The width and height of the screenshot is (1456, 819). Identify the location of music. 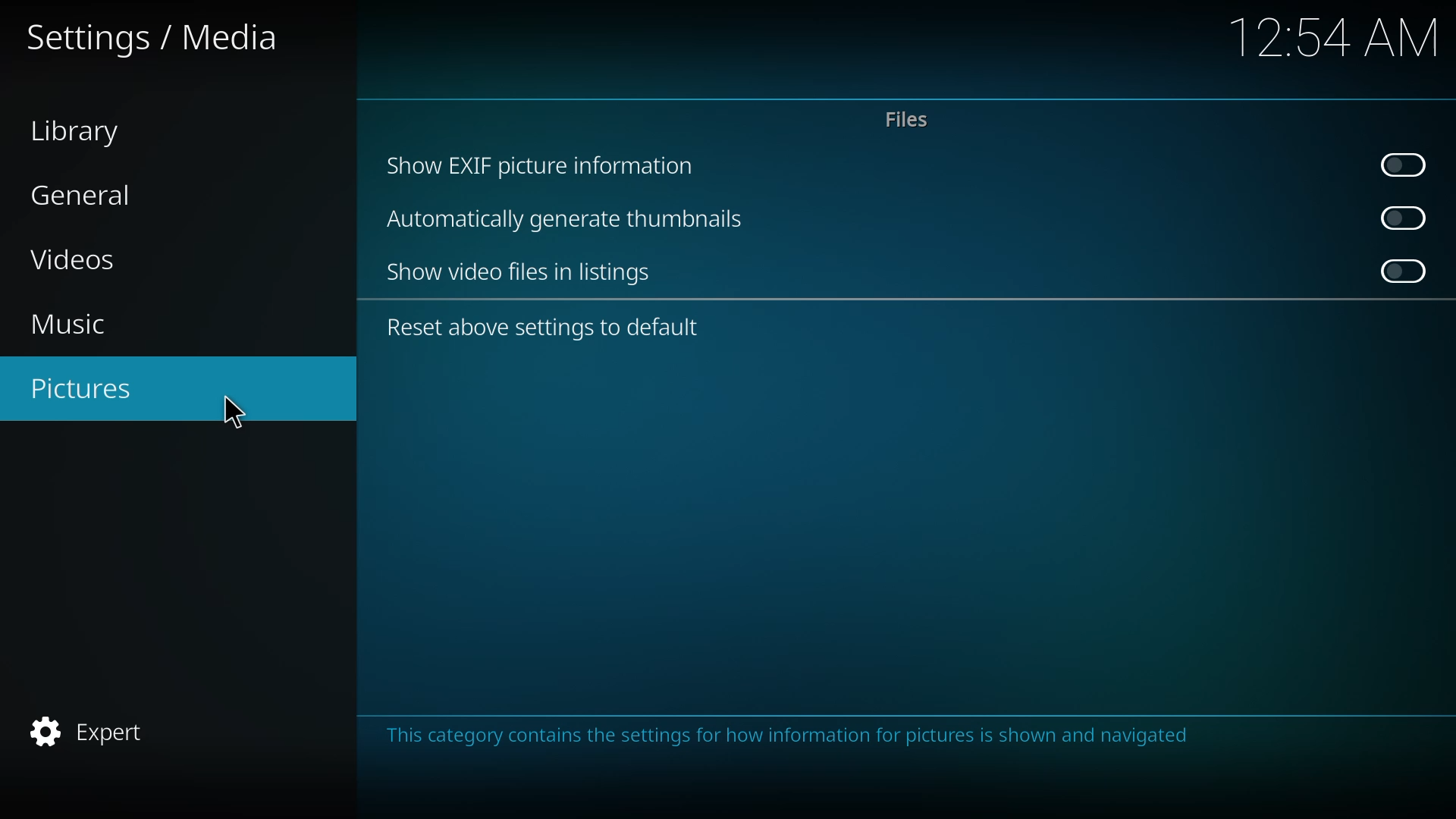
(83, 322).